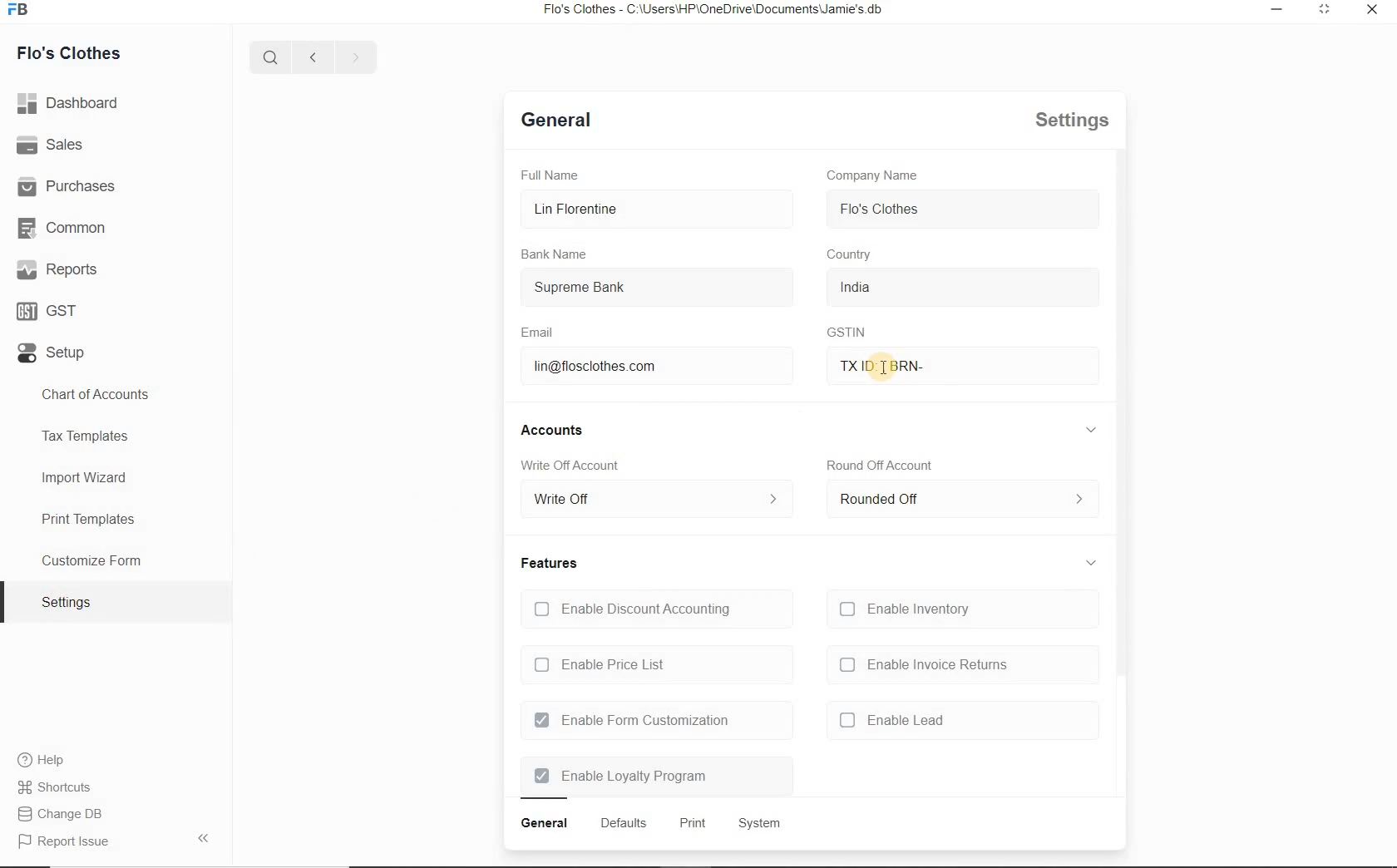 The width and height of the screenshot is (1397, 868). I want to click on Enable Loyalty Program, so click(621, 777).